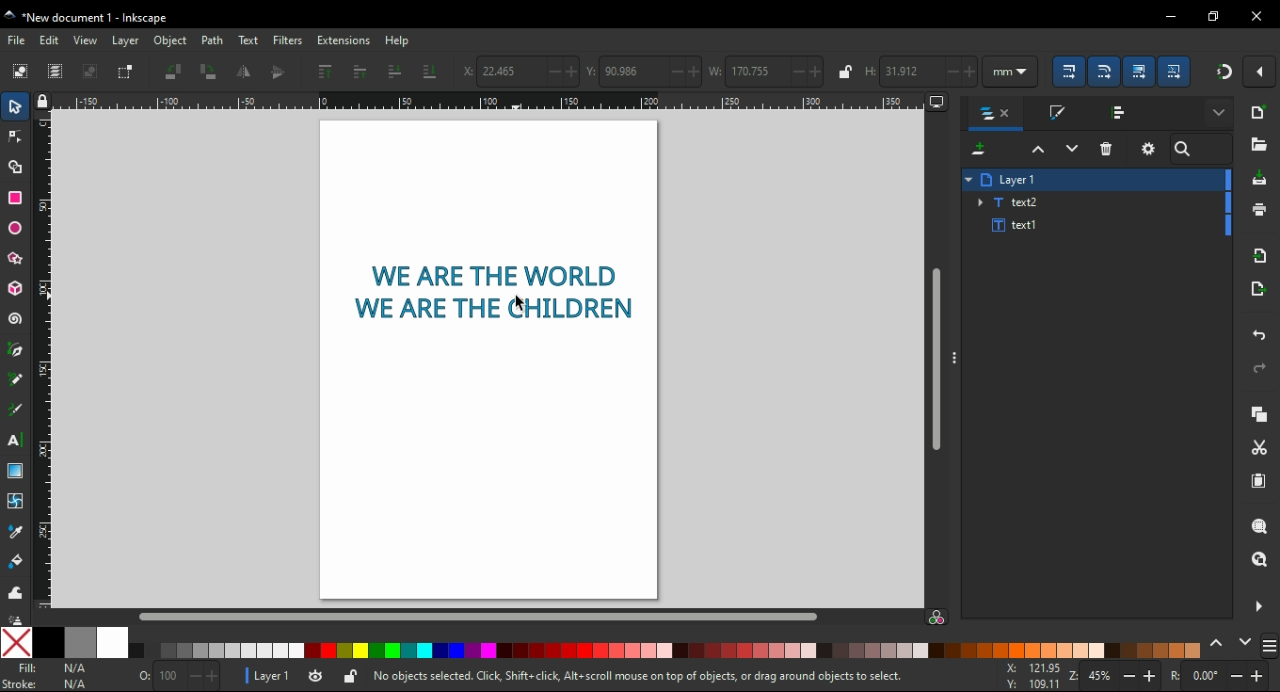 Image resolution: width=1280 pixels, height=692 pixels. What do you see at coordinates (19, 499) in the screenshot?
I see `mesh tool` at bounding box center [19, 499].